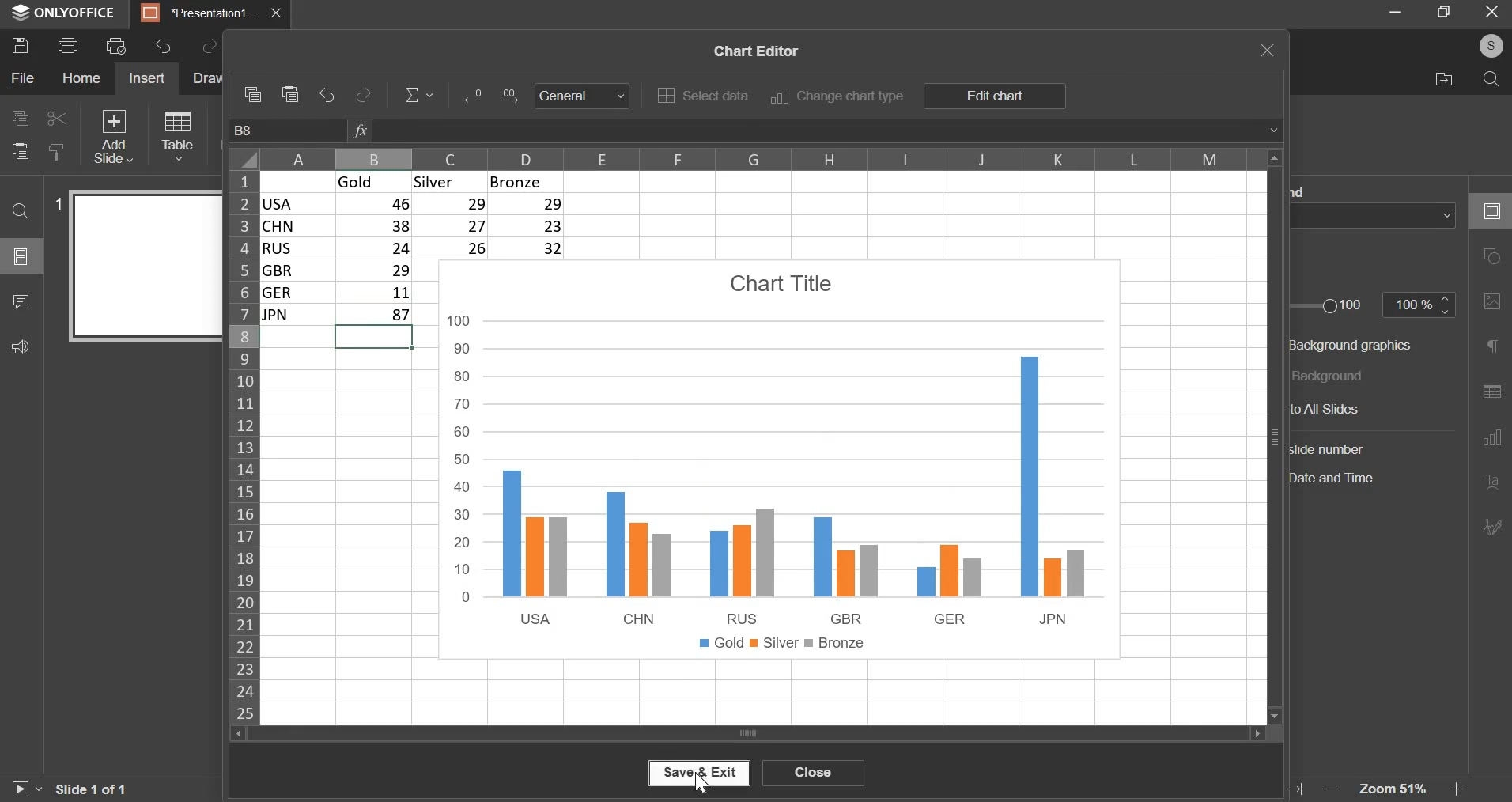 This screenshot has width=1512, height=802. What do you see at coordinates (1444, 78) in the screenshot?
I see `file location` at bounding box center [1444, 78].